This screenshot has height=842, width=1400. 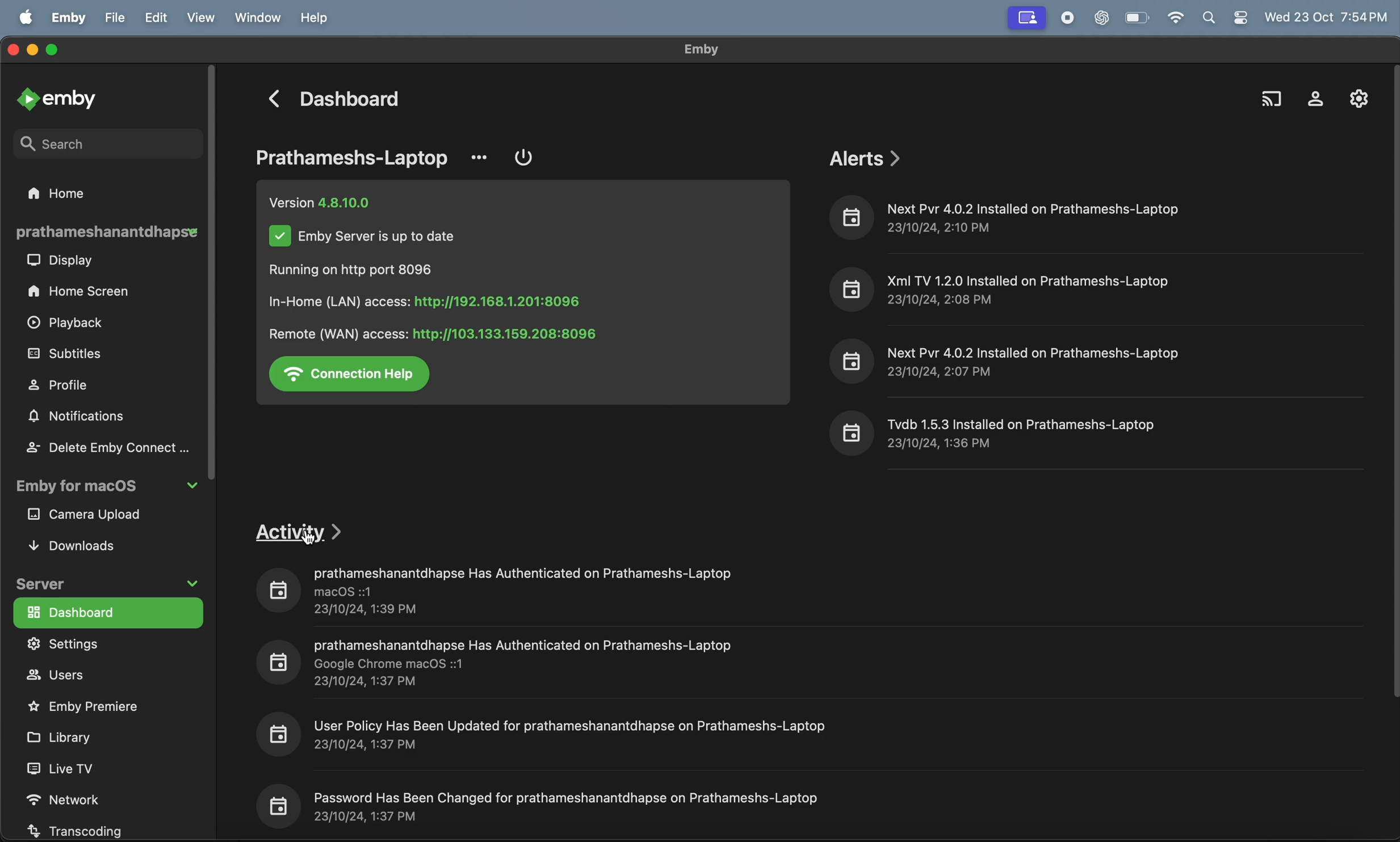 I want to click on help, so click(x=318, y=18).